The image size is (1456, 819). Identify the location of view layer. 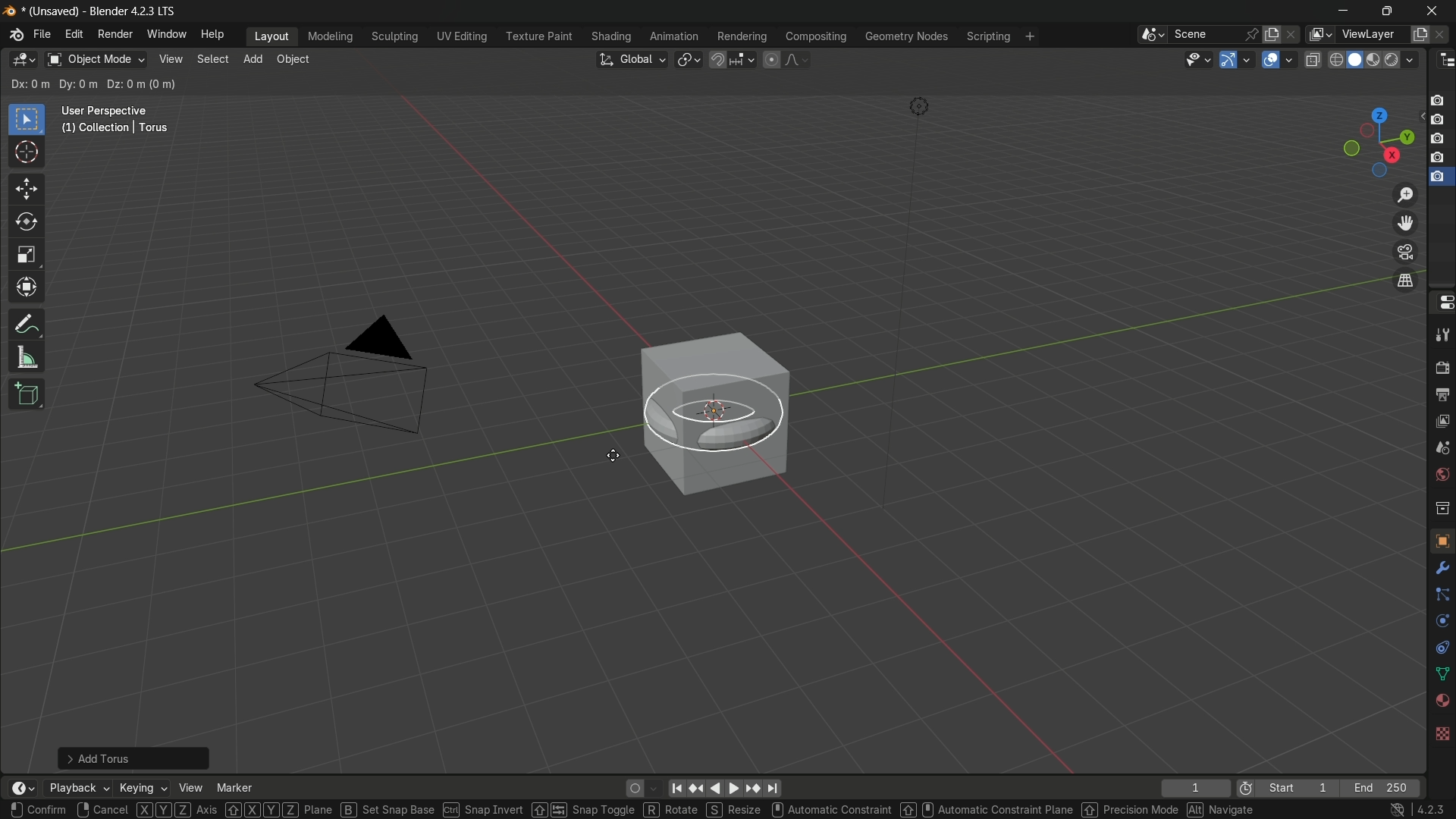
(1318, 34).